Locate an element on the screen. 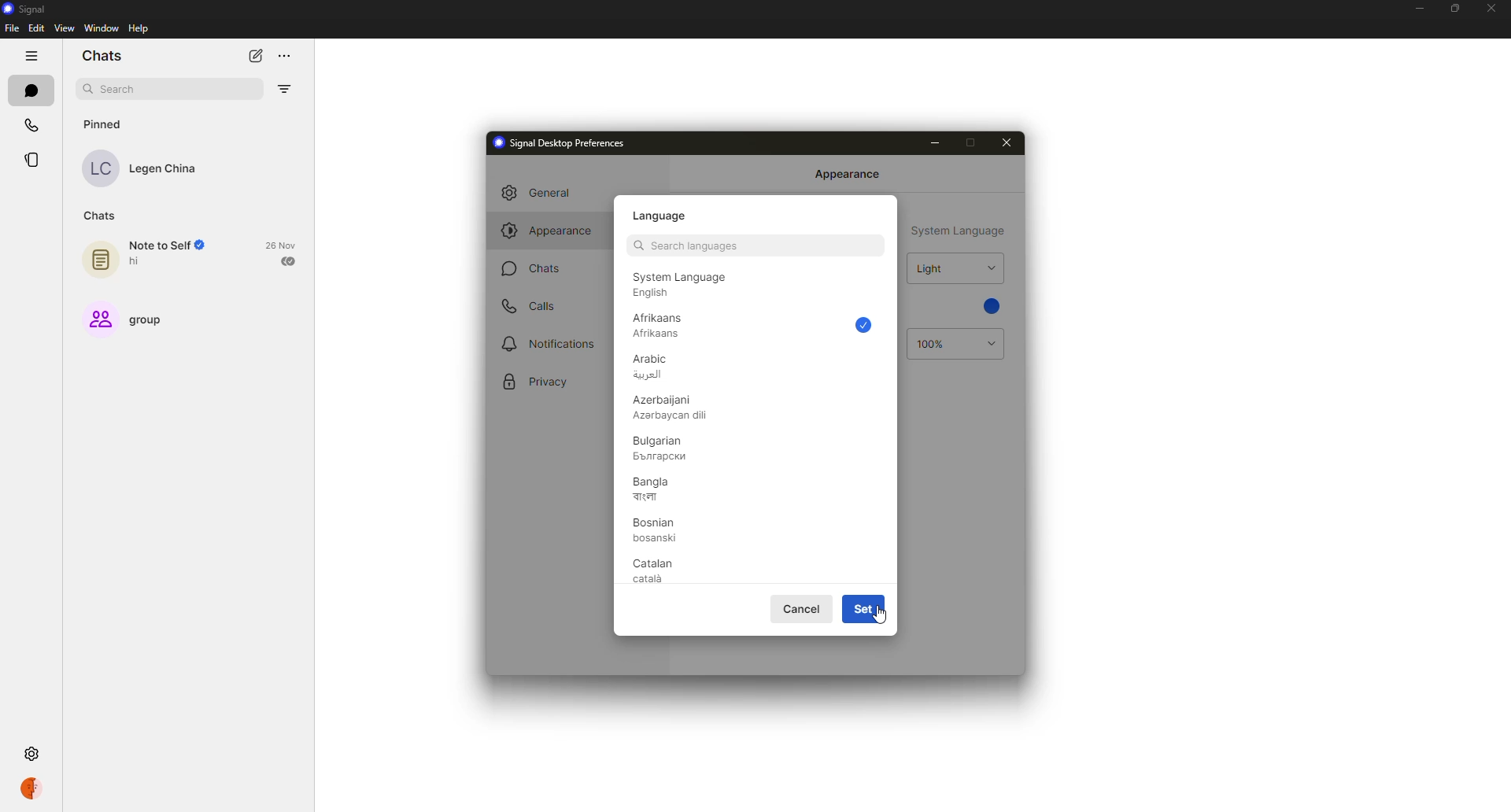 The height and width of the screenshot is (812, 1511). date is located at coordinates (281, 244).